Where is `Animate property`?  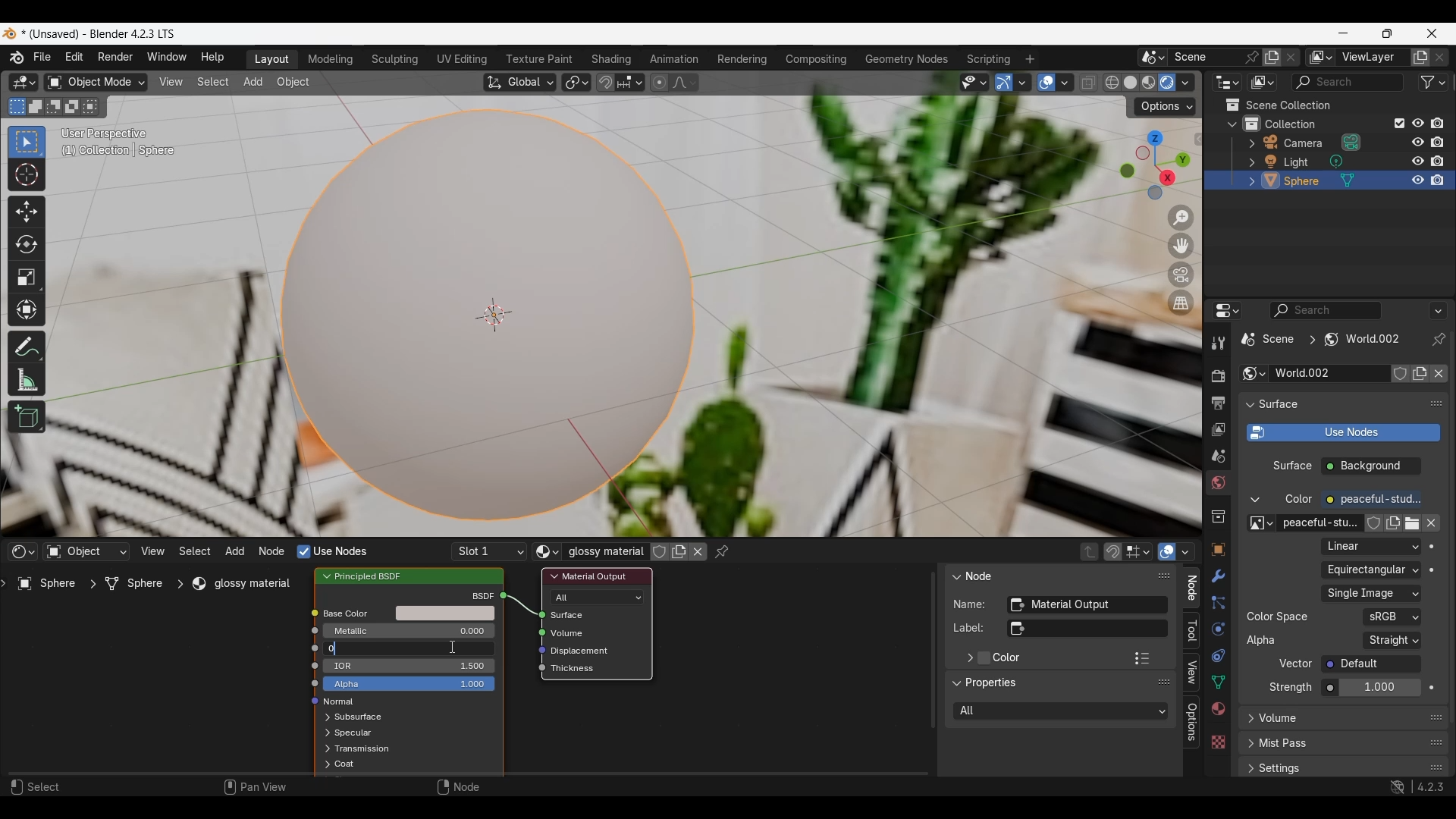
Animate property is located at coordinates (1432, 547).